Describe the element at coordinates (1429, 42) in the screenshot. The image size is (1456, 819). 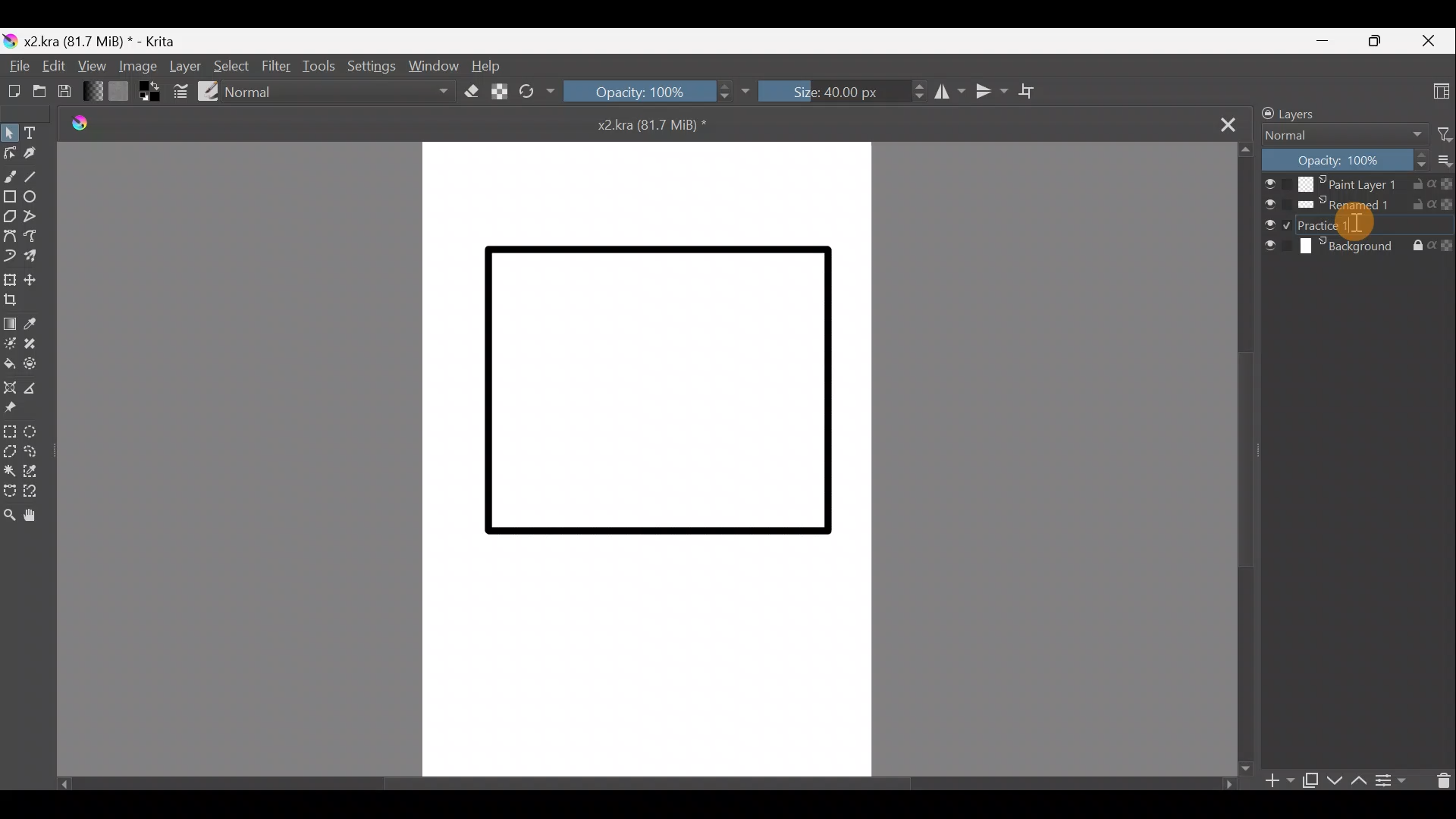
I see `Close` at that location.